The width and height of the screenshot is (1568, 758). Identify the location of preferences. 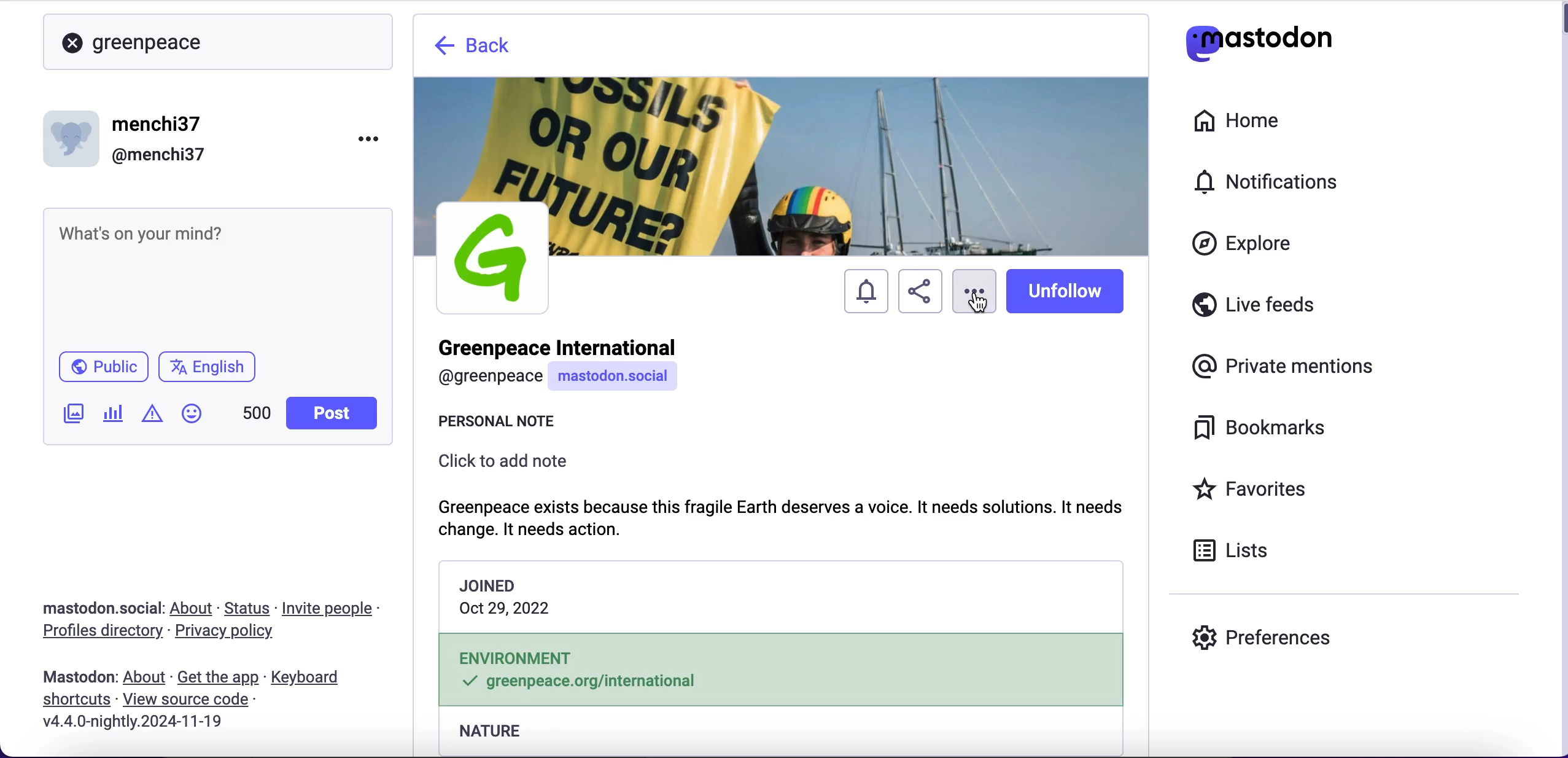
(1262, 637).